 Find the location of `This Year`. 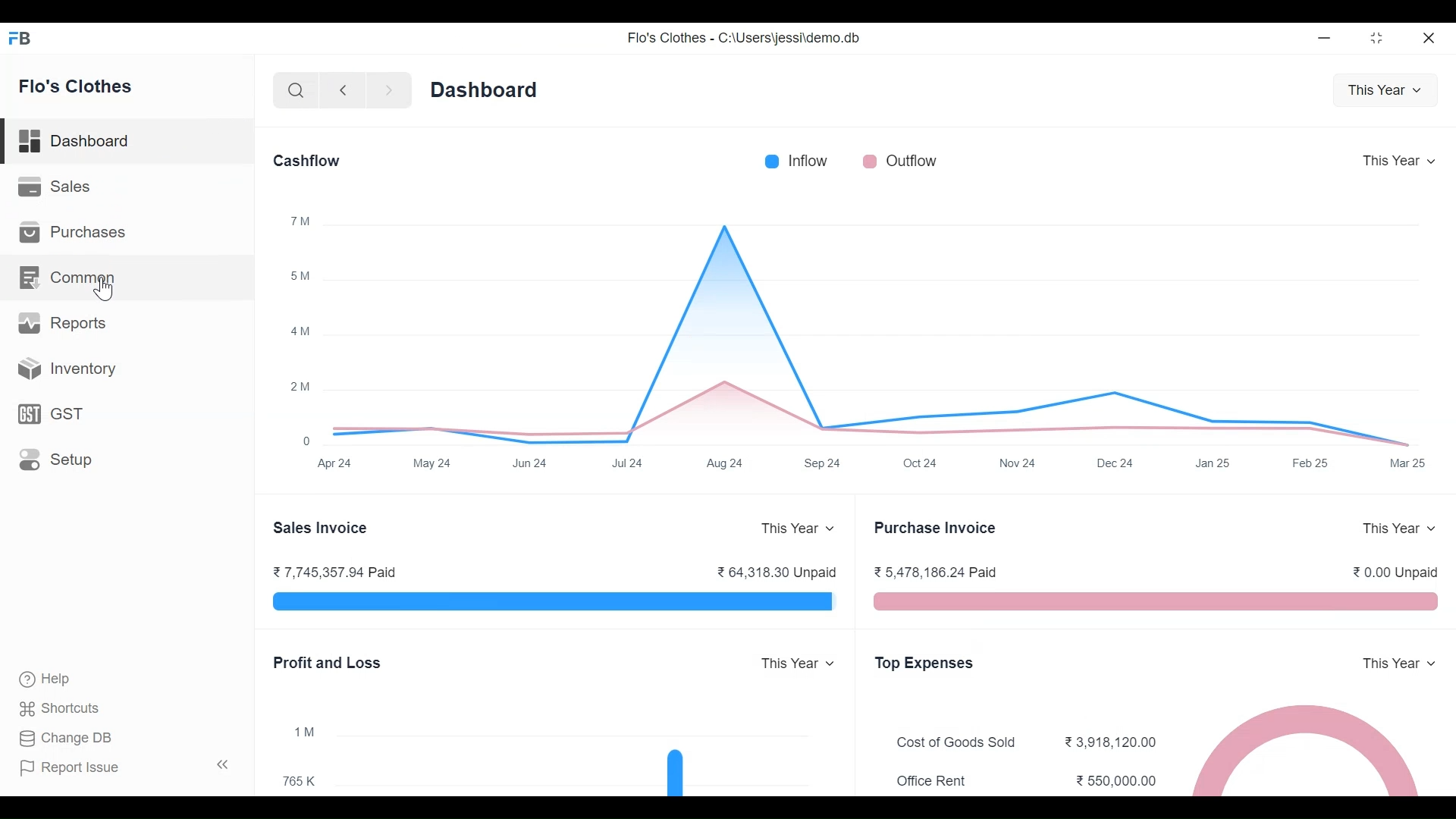

This Year is located at coordinates (1403, 663).